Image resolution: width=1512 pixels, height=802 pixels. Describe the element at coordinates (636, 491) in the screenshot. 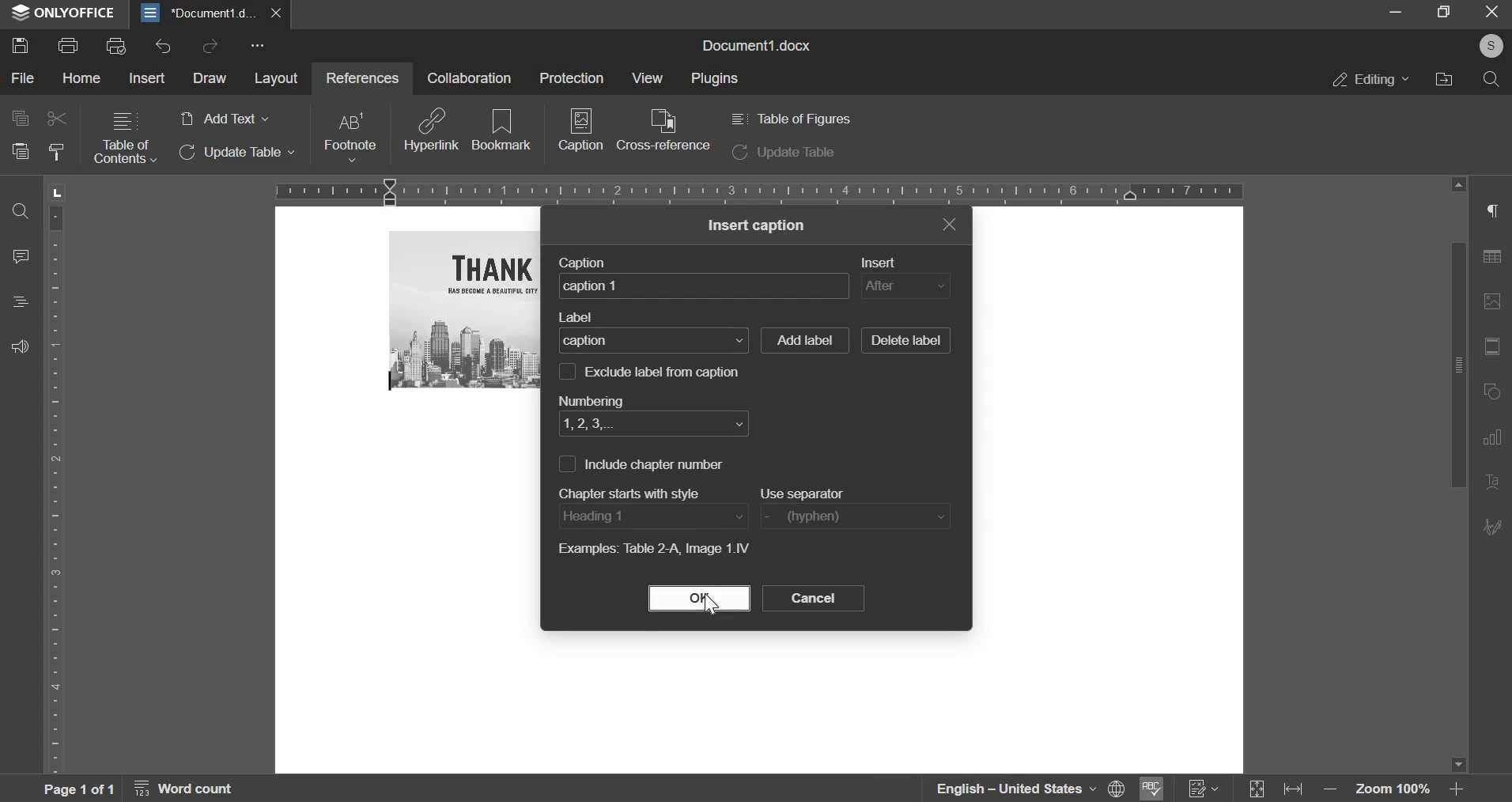

I see `chapter starts with style` at that location.